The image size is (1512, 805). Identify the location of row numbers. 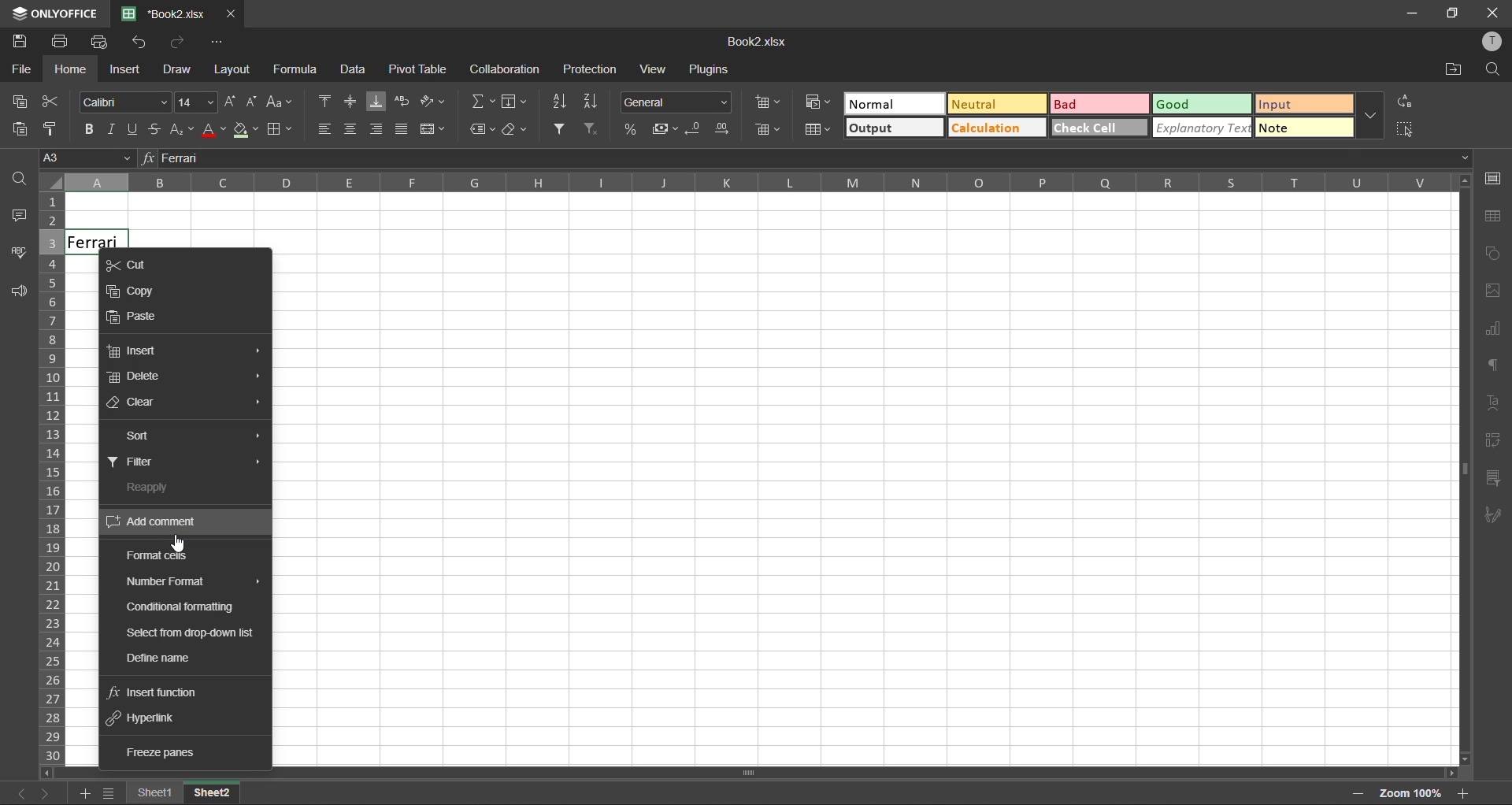
(50, 477).